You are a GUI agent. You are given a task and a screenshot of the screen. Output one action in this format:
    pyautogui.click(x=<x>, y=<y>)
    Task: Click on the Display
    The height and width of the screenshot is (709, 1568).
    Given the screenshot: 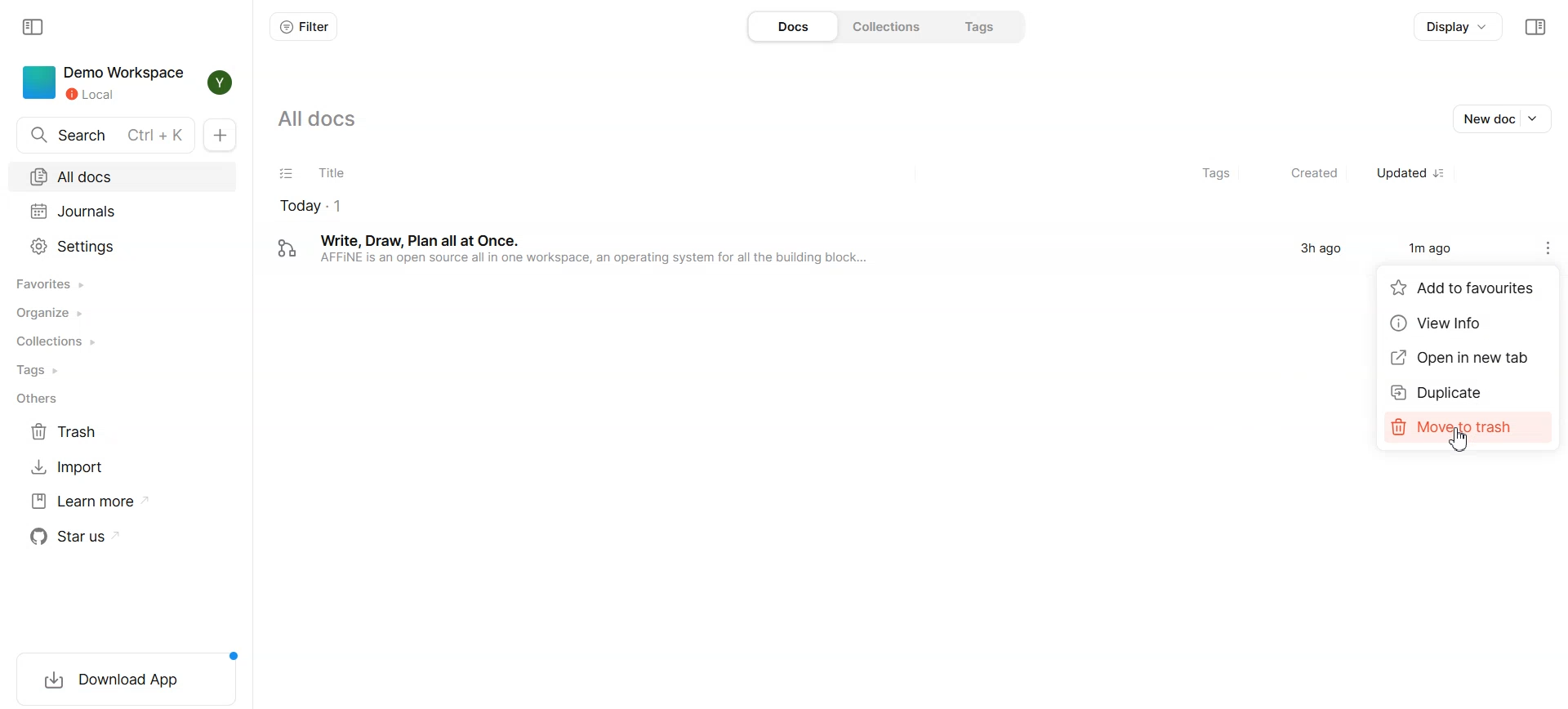 What is the action you would take?
    pyautogui.click(x=1459, y=26)
    